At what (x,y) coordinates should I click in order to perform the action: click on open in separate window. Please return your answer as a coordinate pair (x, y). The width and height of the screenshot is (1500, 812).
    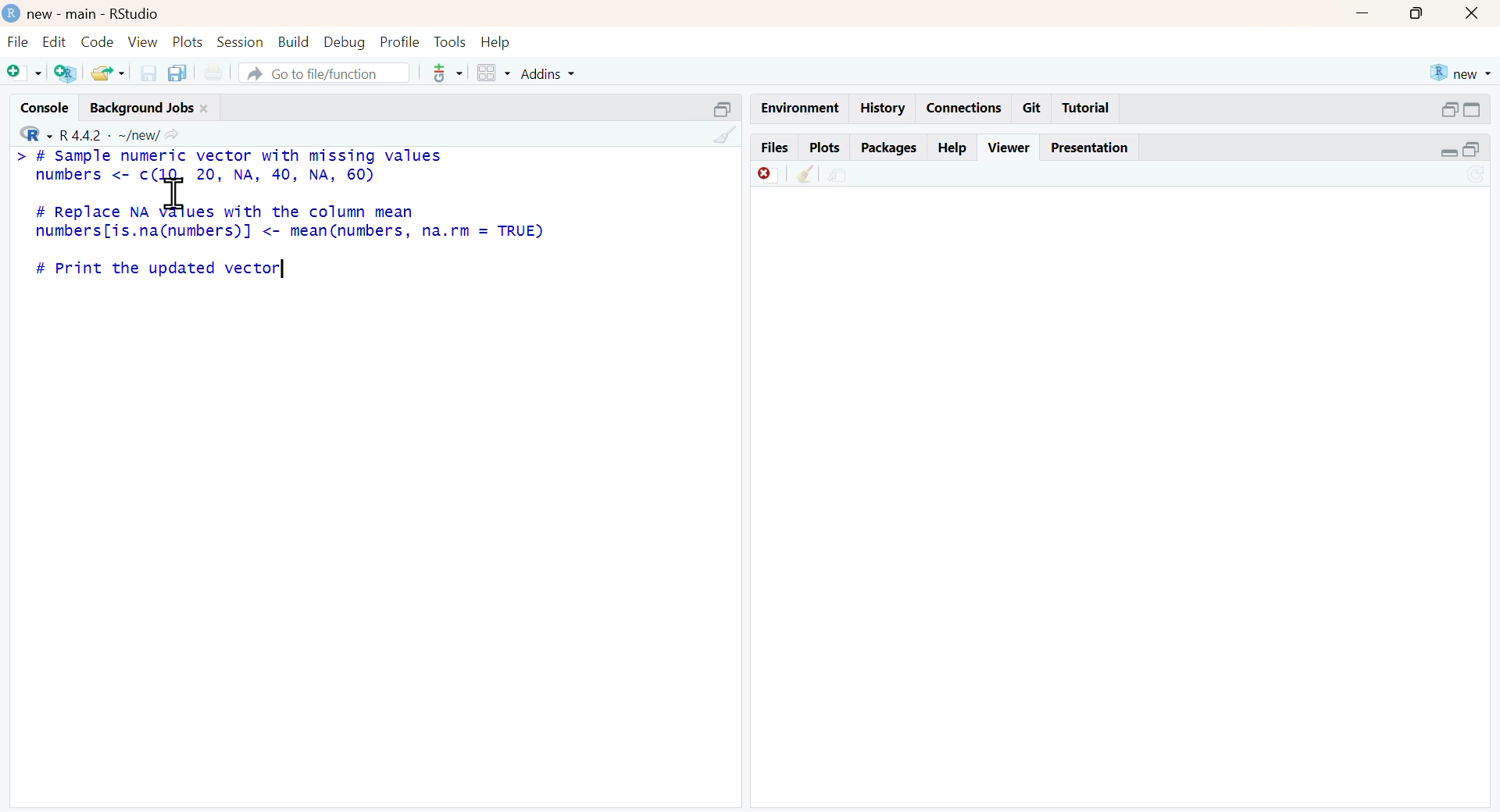
    Looking at the image, I should click on (724, 109).